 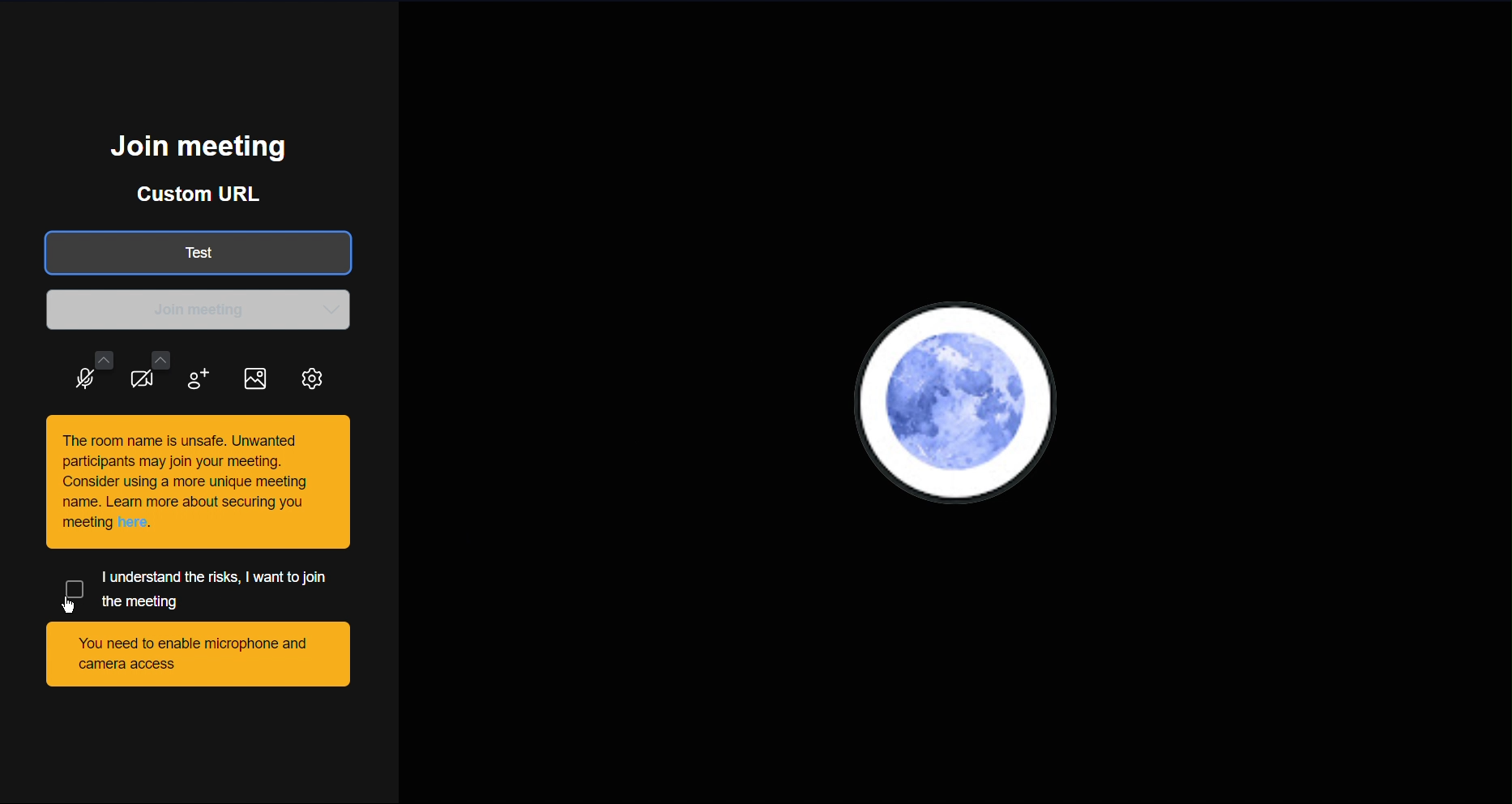 What do you see at coordinates (199, 482) in the screenshot?
I see `This room is unsafe` at bounding box center [199, 482].